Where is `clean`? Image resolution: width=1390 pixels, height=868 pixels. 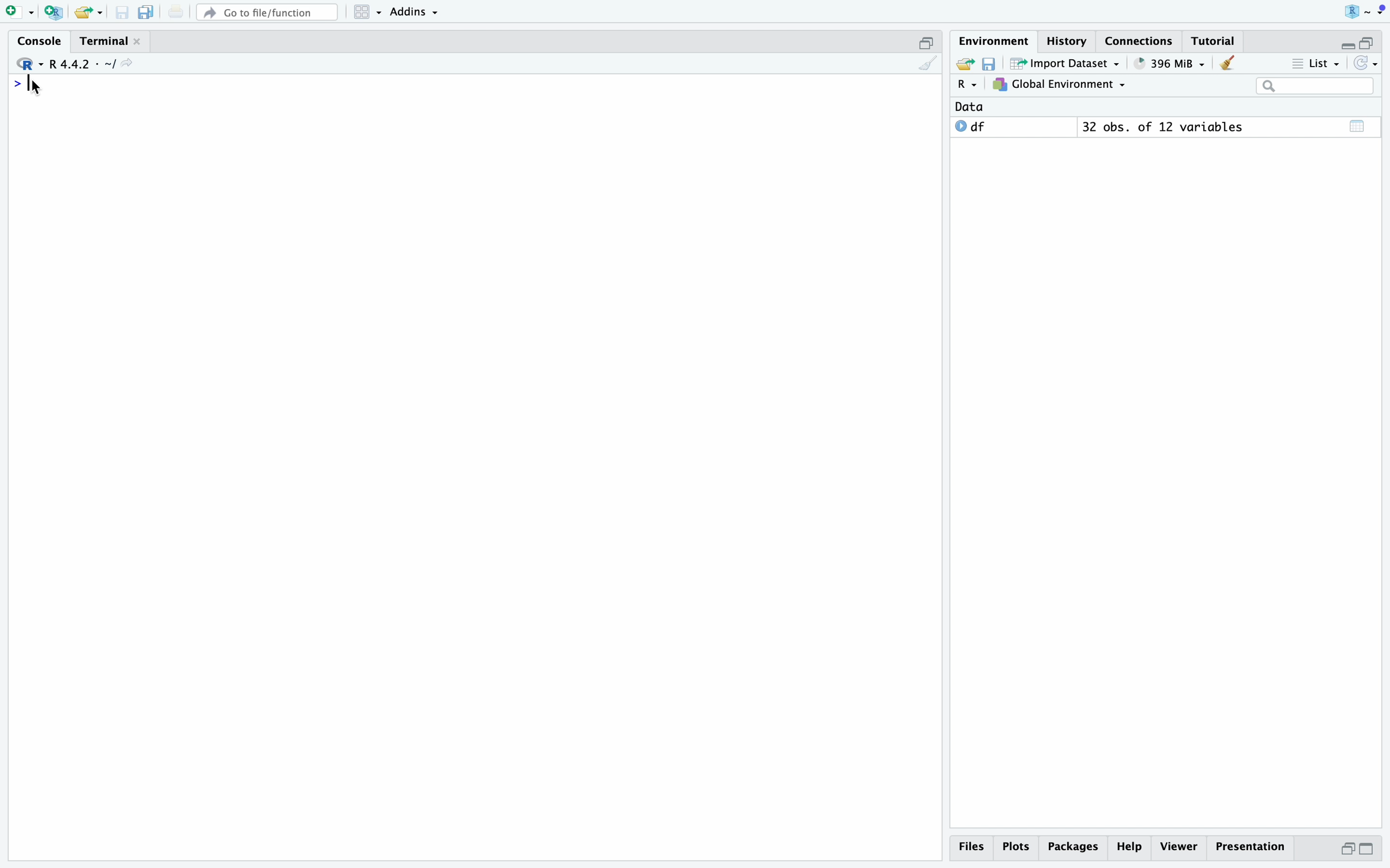
clean is located at coordinates (1226, 63).